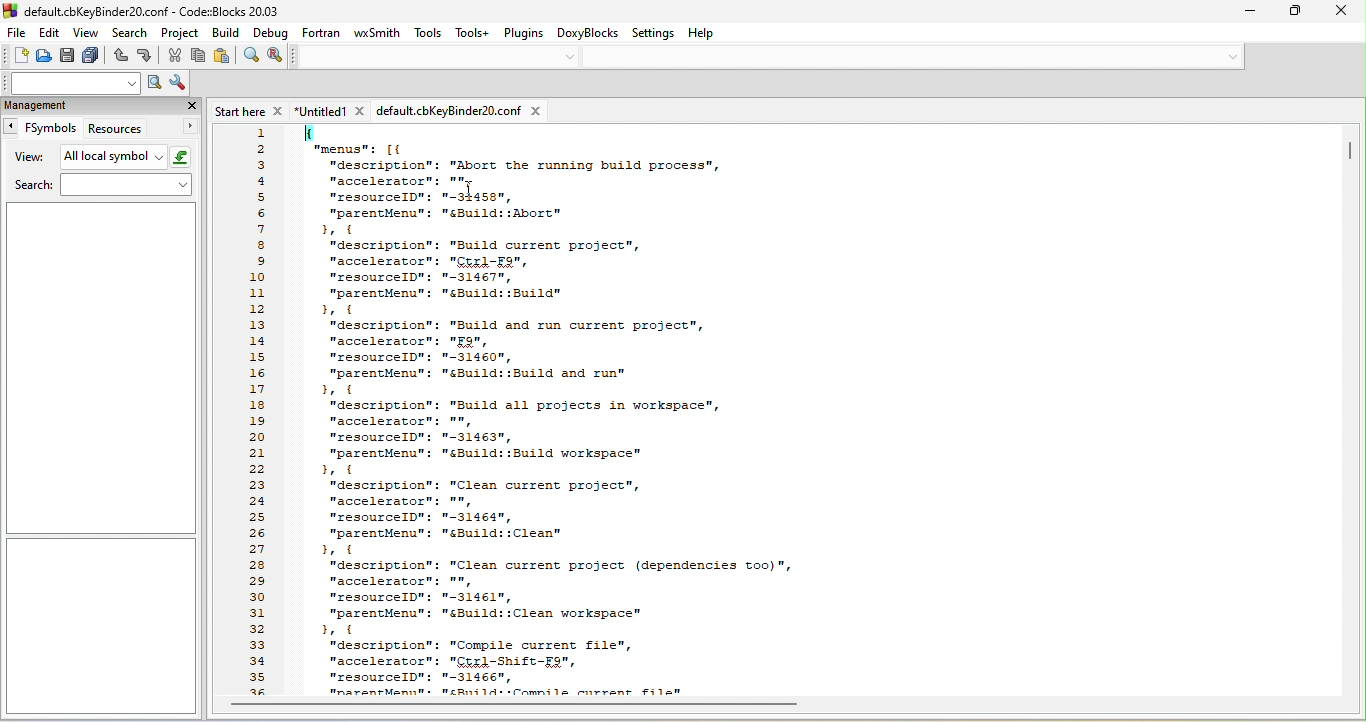 The width and height of the screenshot is (1366, 722). I want to click on new, so click(16, 57).